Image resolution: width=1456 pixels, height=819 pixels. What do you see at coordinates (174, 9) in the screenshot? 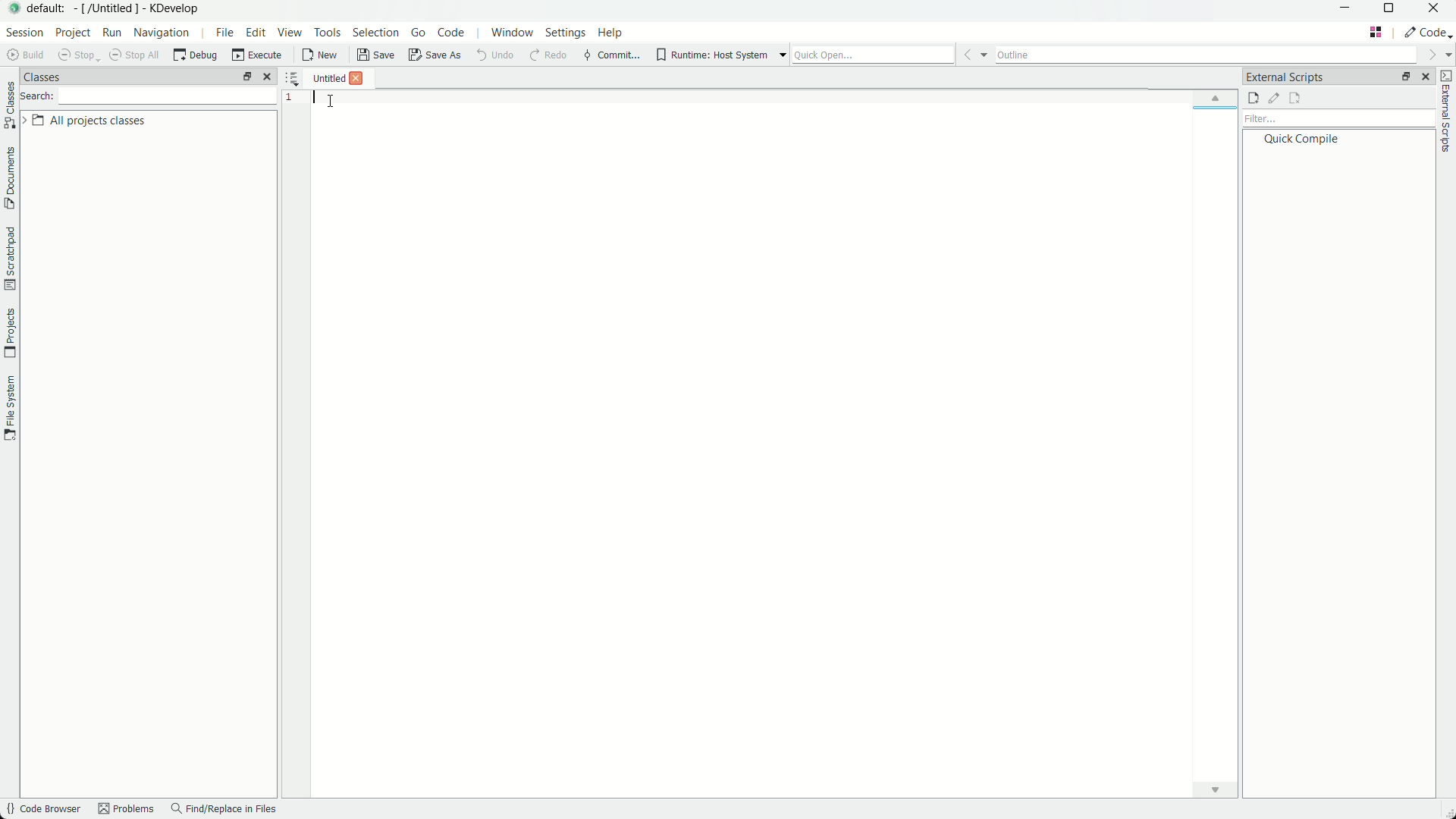
I see `kdevelop` at bounding box center [174, 9].